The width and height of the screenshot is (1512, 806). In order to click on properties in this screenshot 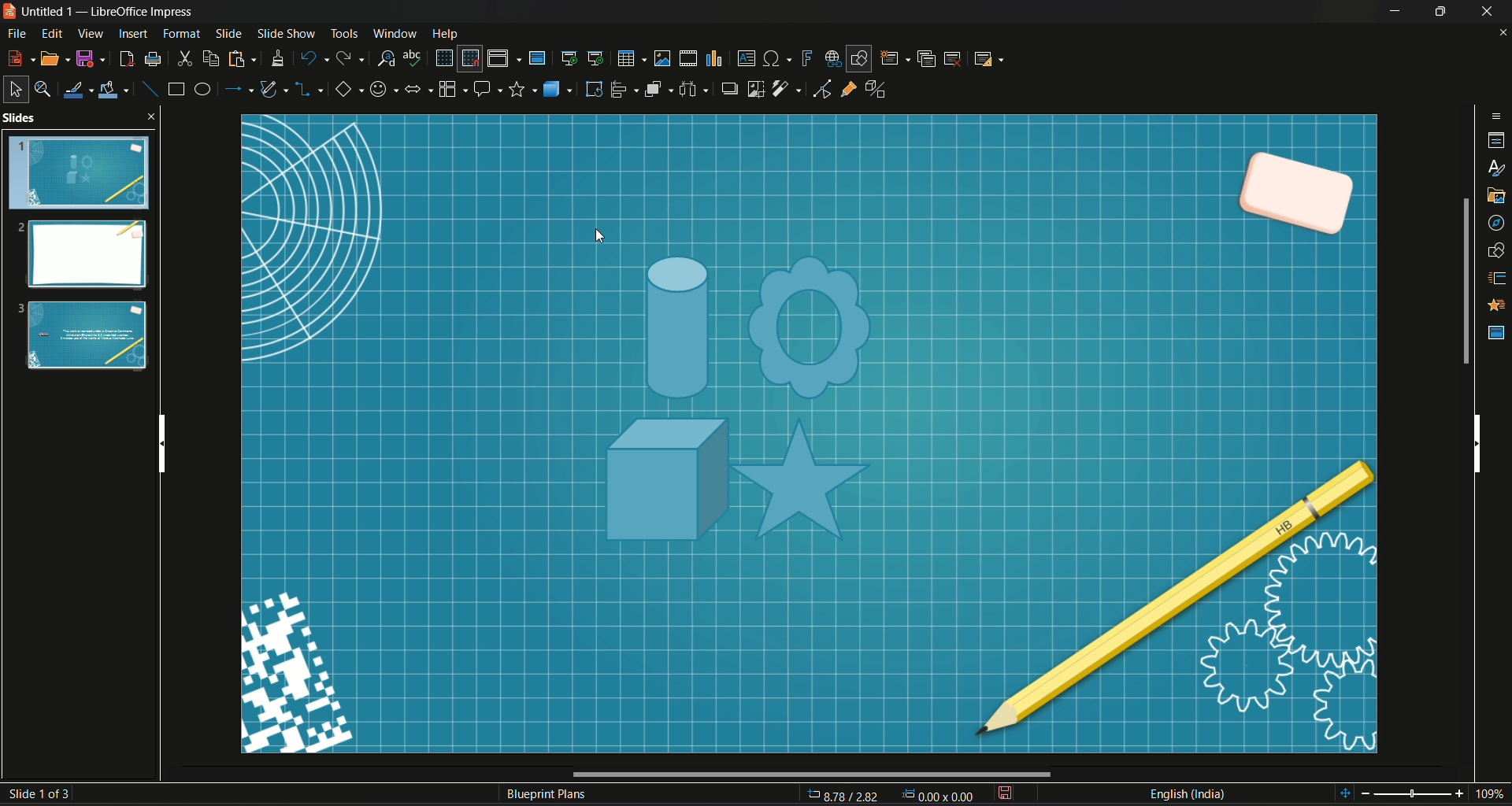, I will do `click(1497, 142)`.